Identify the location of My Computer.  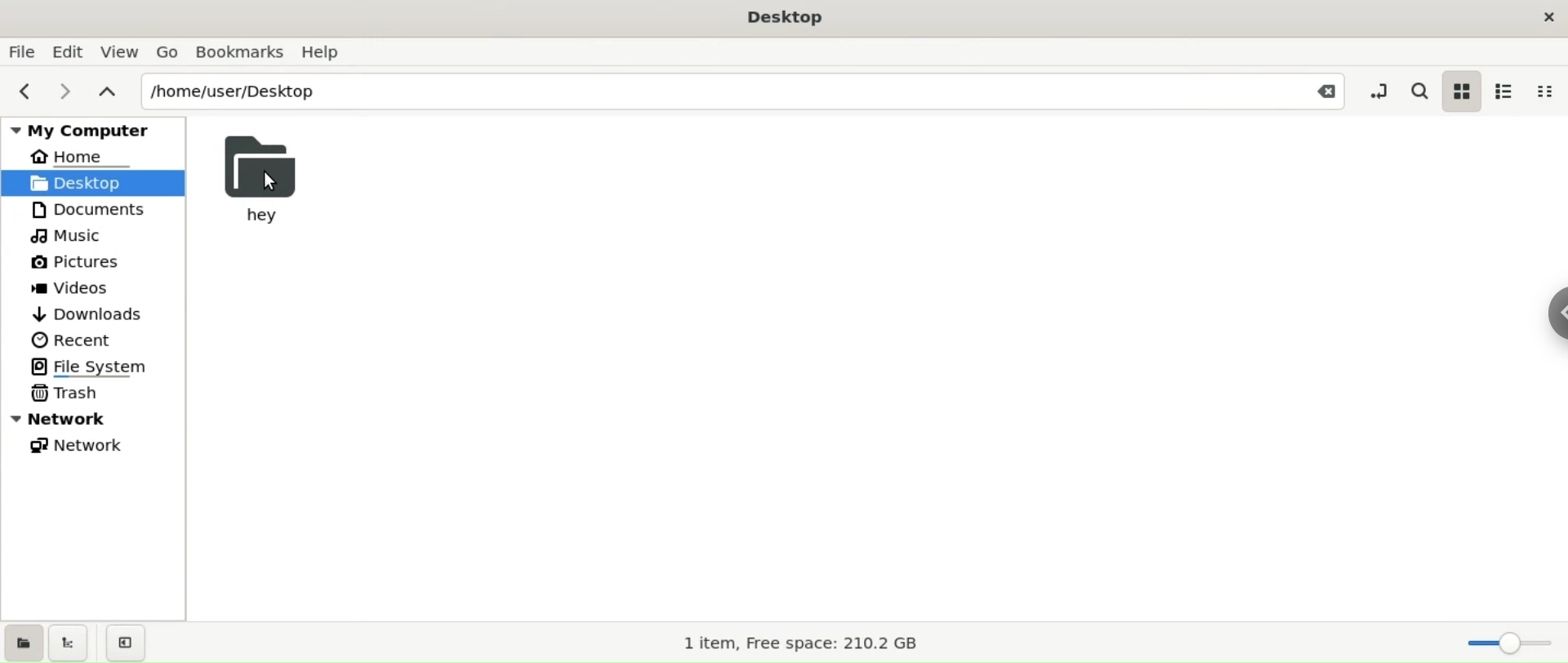
(96, 129).